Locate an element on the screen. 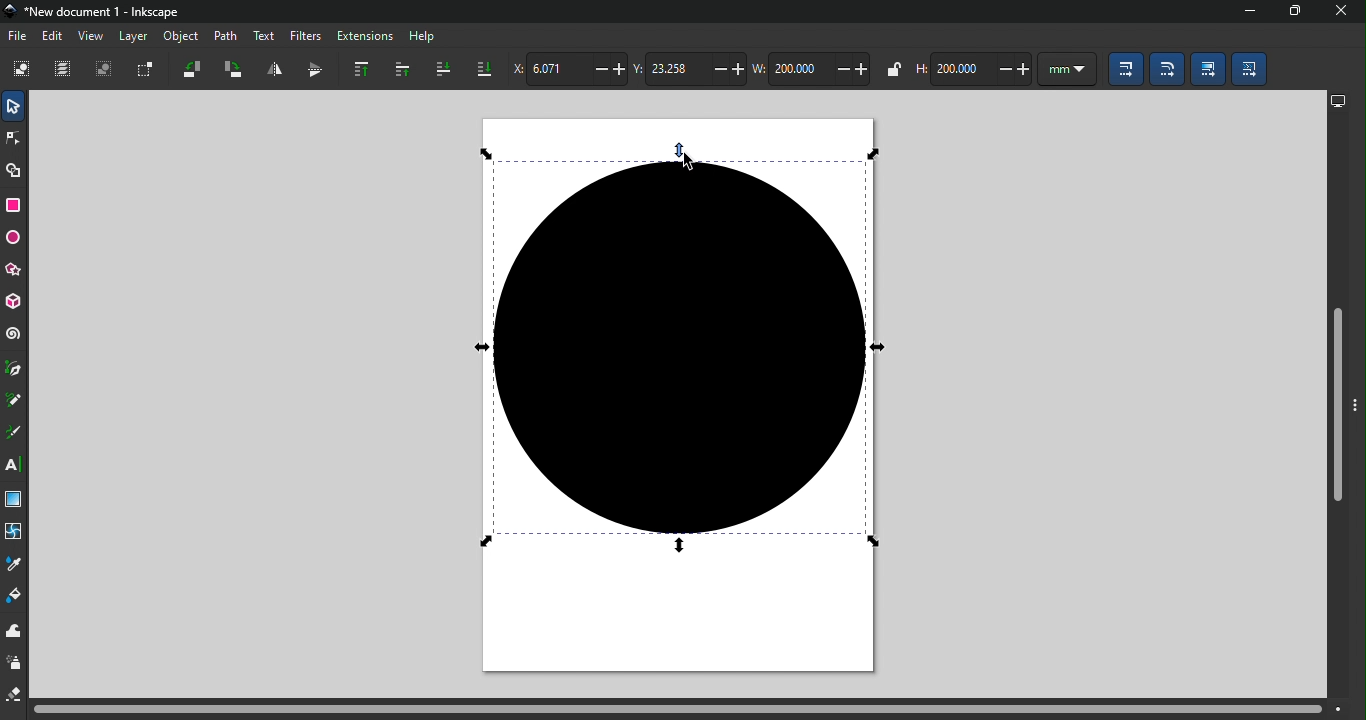 This screenshot has height=720, width=1366. close is located at coordinates (1344, 13).